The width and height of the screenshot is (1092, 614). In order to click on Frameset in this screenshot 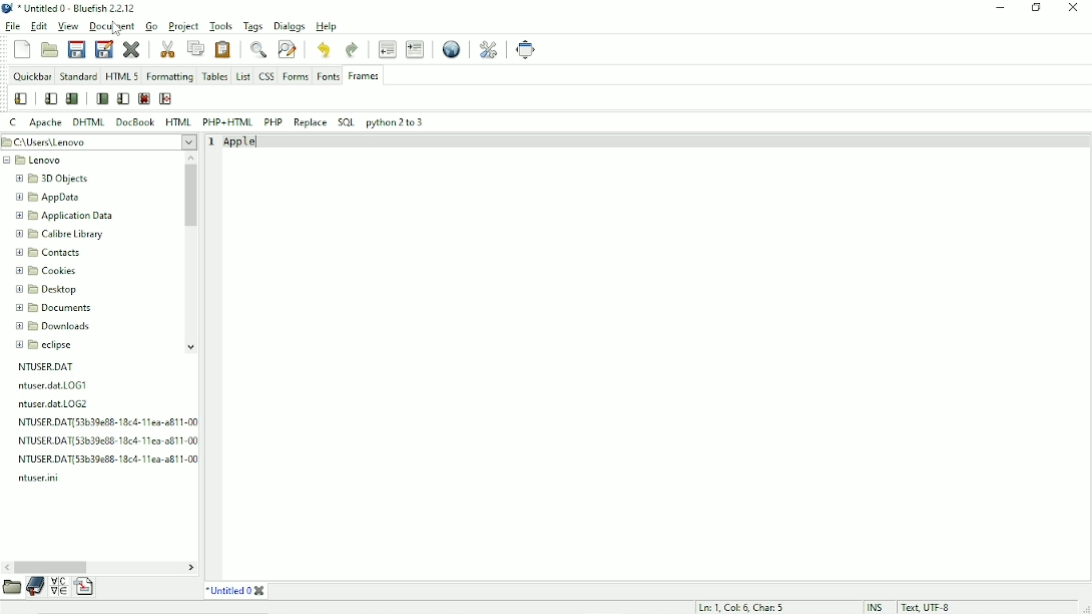, I will do `click(49, 99)`.